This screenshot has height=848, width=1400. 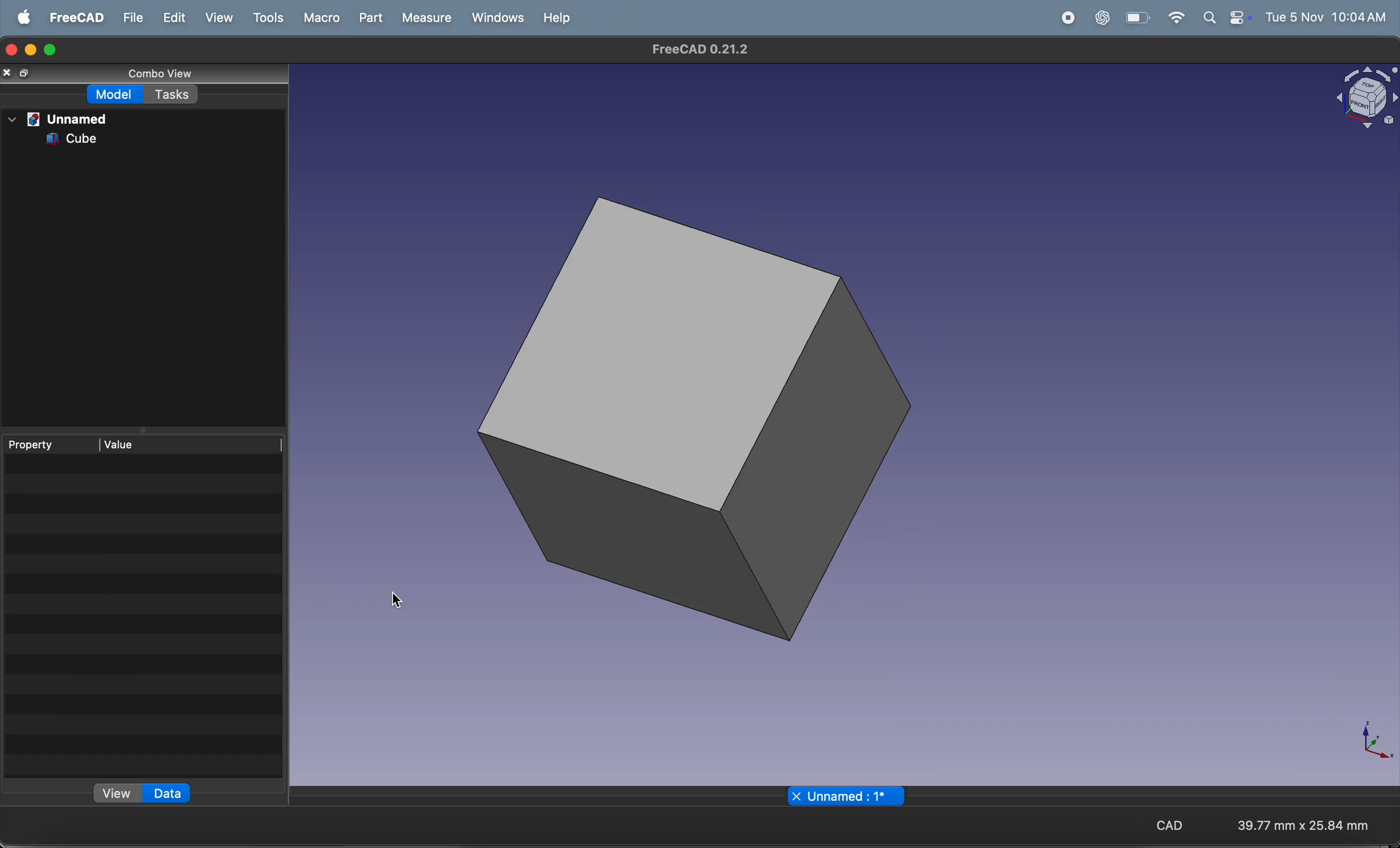 I want to click on unamed, so click(x=847, y=796).